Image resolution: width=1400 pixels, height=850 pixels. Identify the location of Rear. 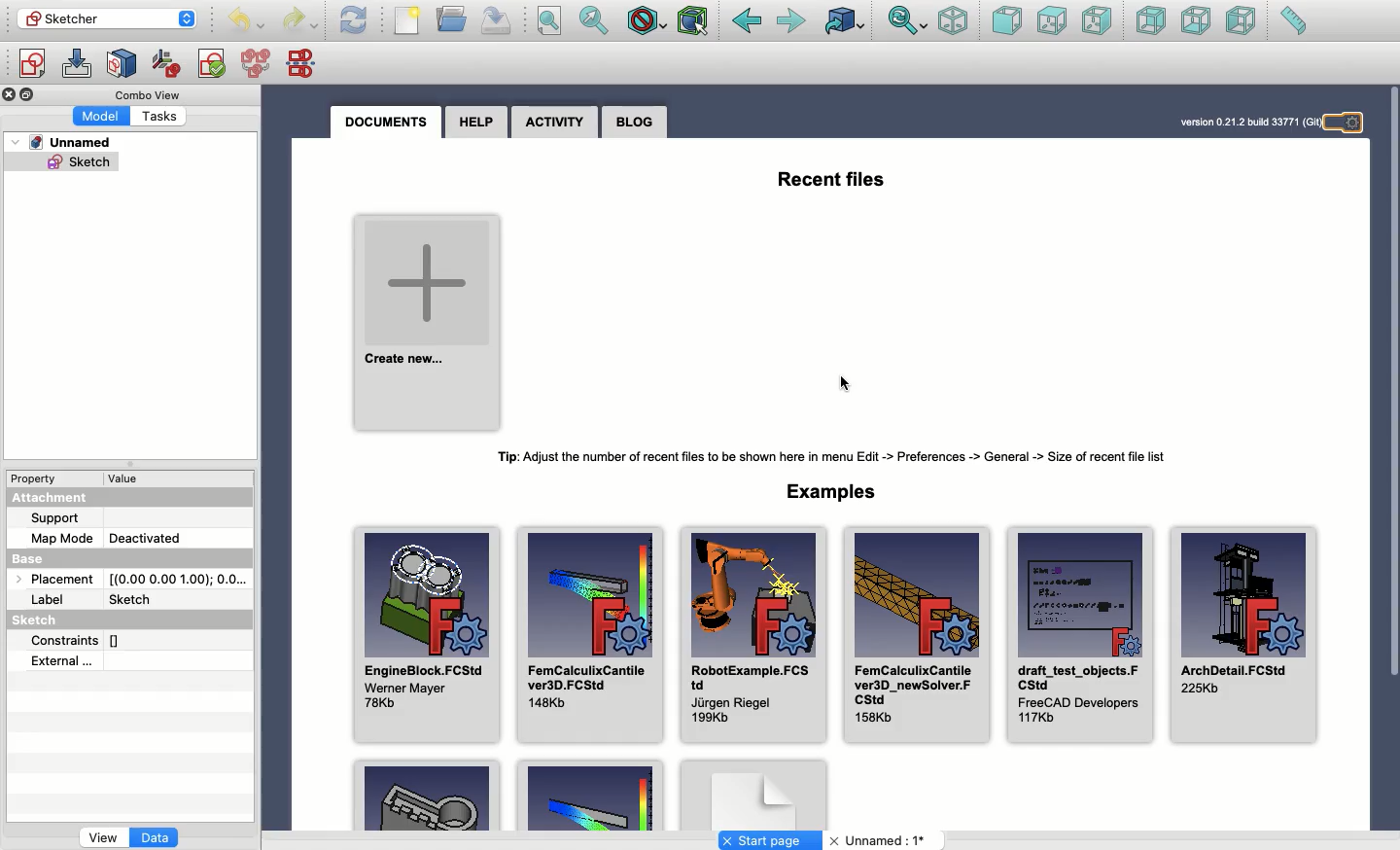
(1150, 22).